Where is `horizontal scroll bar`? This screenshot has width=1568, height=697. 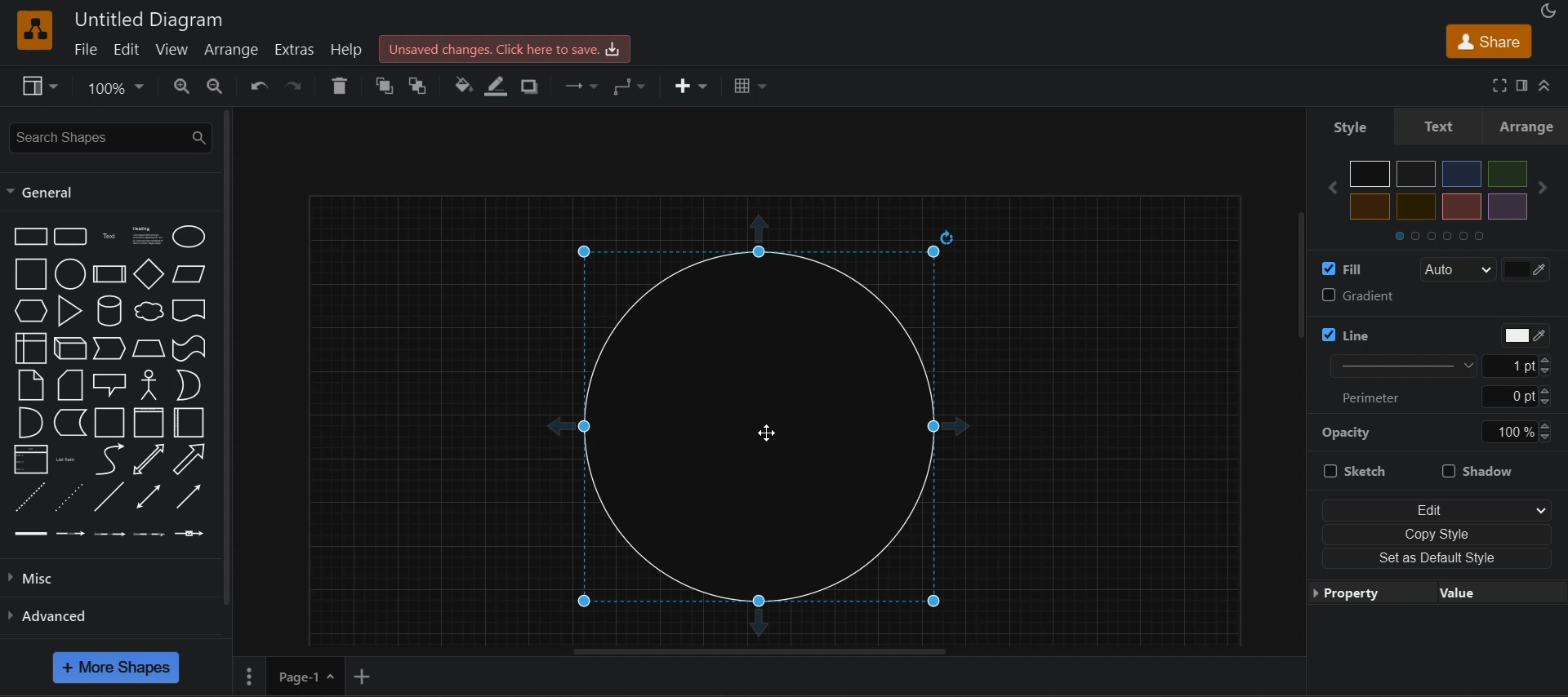 horizontal scroll bar is located at coordinates (762, 652).